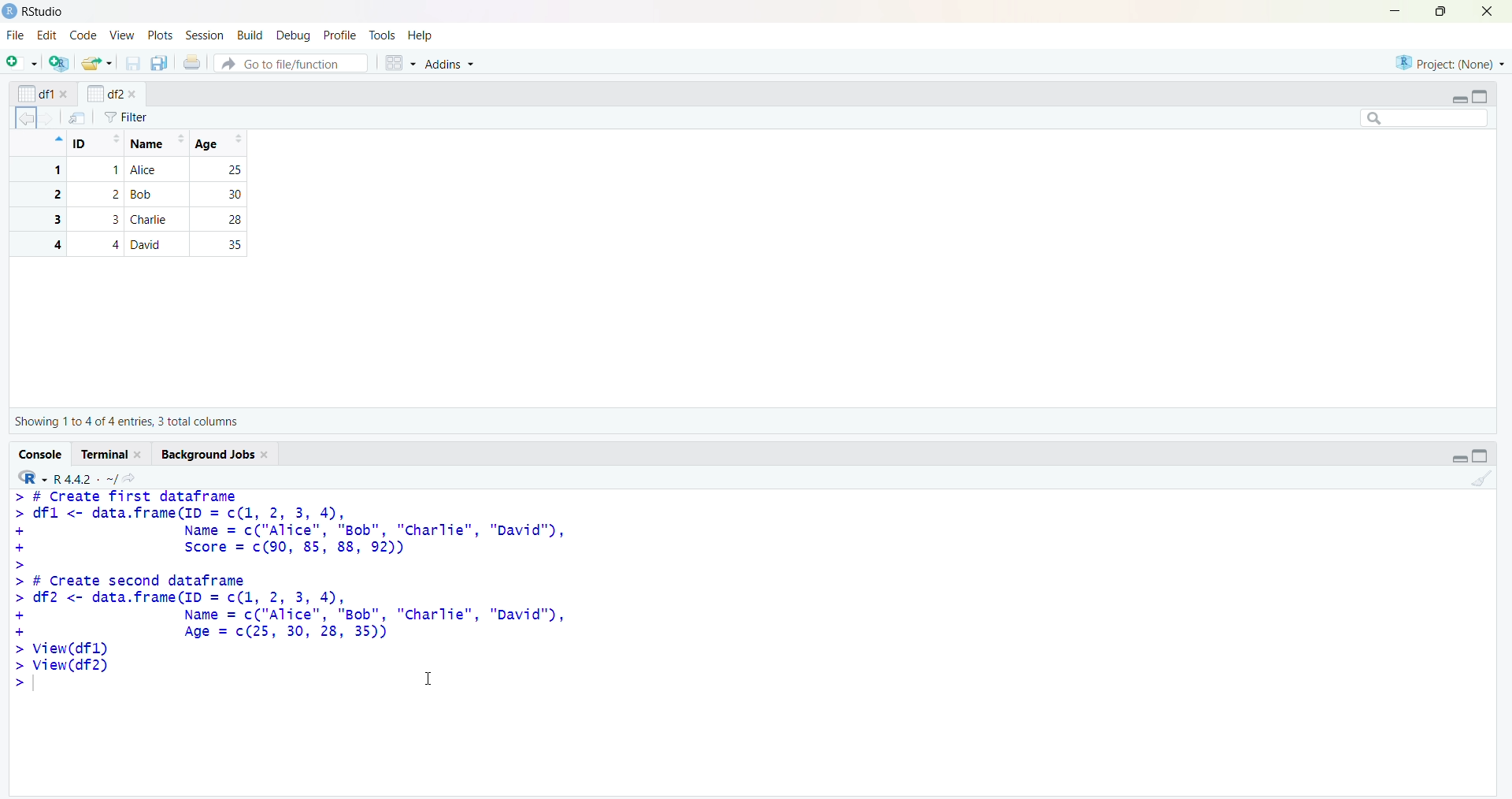 The width and height of the screenshot is (1512, 799). What do you see at coordinates (1450, 62) in the screenshot?
I see `project (none)` at bounding box center [1450, 62].